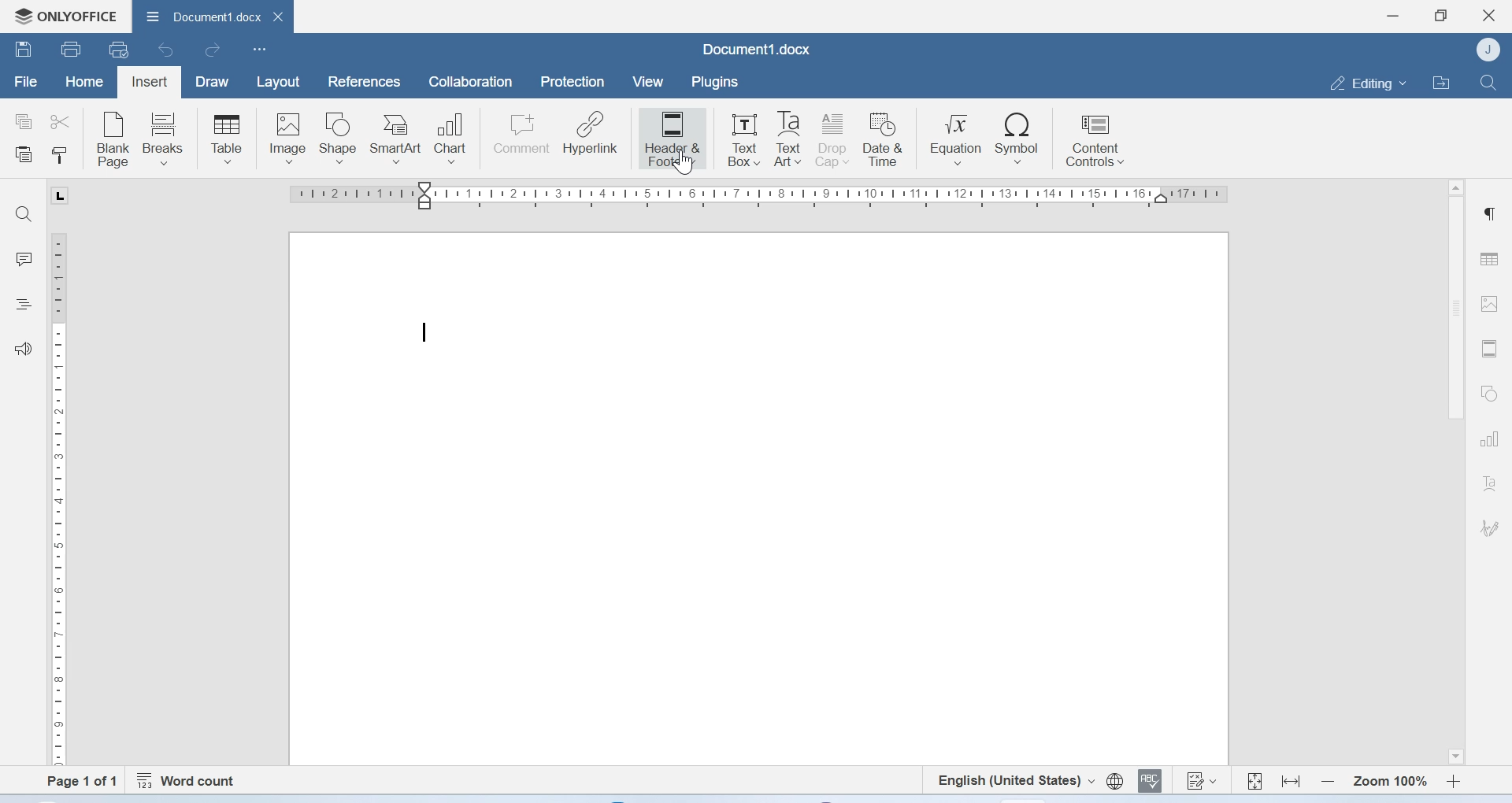 This screenshot has width=1512, height=803. I want to click on Table, so click(1492, 254).